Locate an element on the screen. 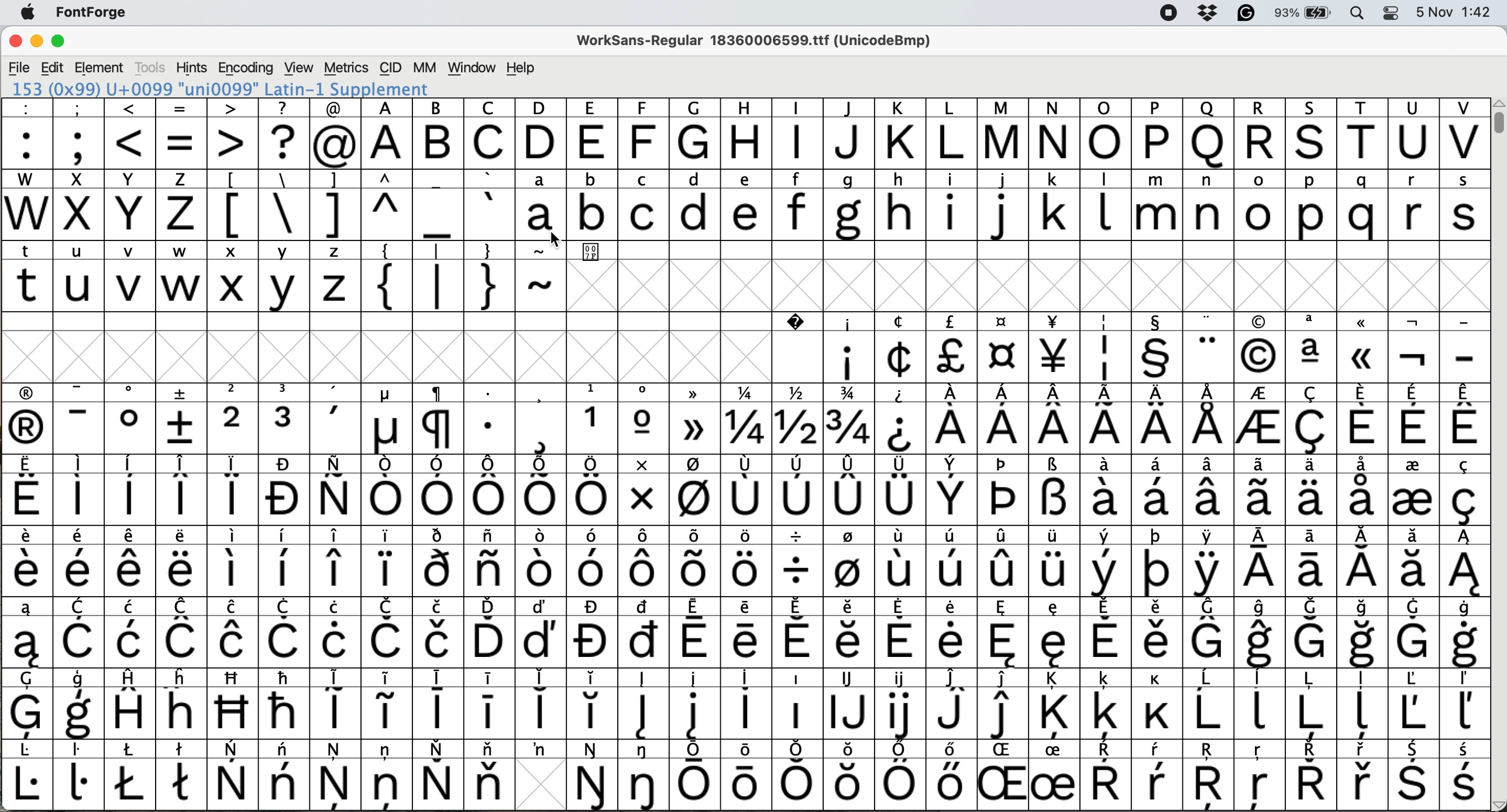  symbol is located at coordinates (1057, 347).